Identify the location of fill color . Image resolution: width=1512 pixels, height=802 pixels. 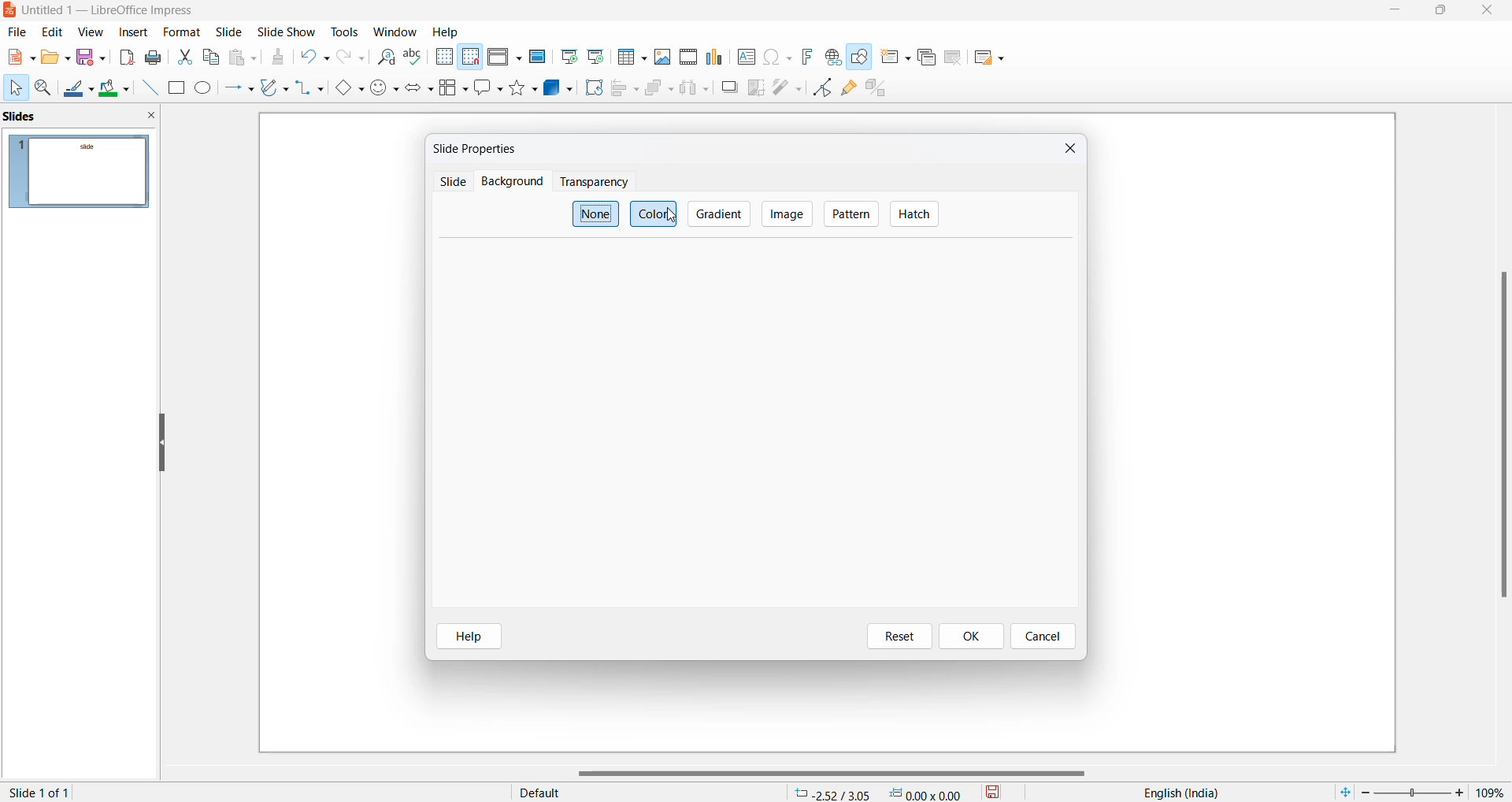
(116, 89).